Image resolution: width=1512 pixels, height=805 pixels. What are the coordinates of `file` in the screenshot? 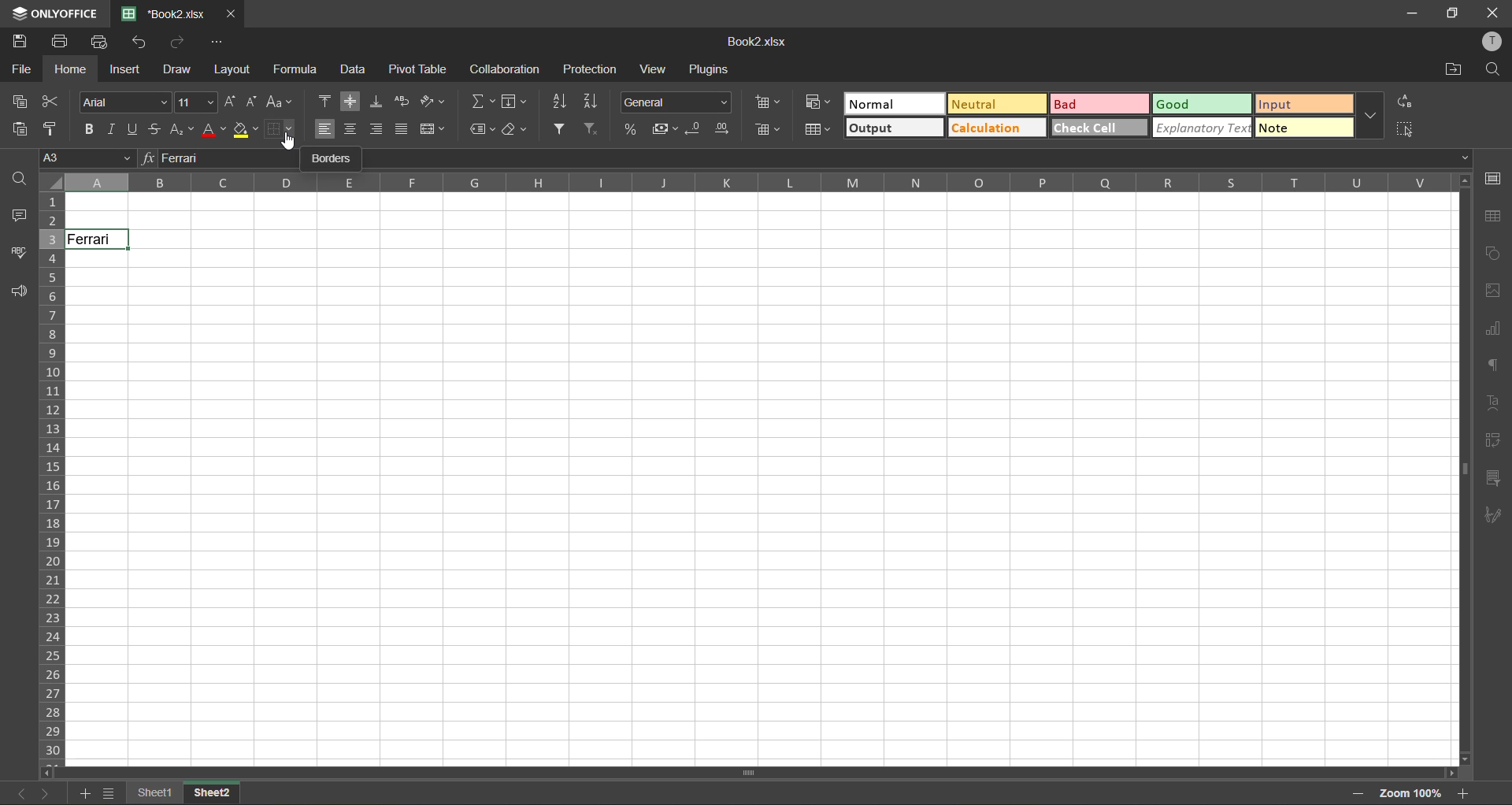 It's located at (20, 70).